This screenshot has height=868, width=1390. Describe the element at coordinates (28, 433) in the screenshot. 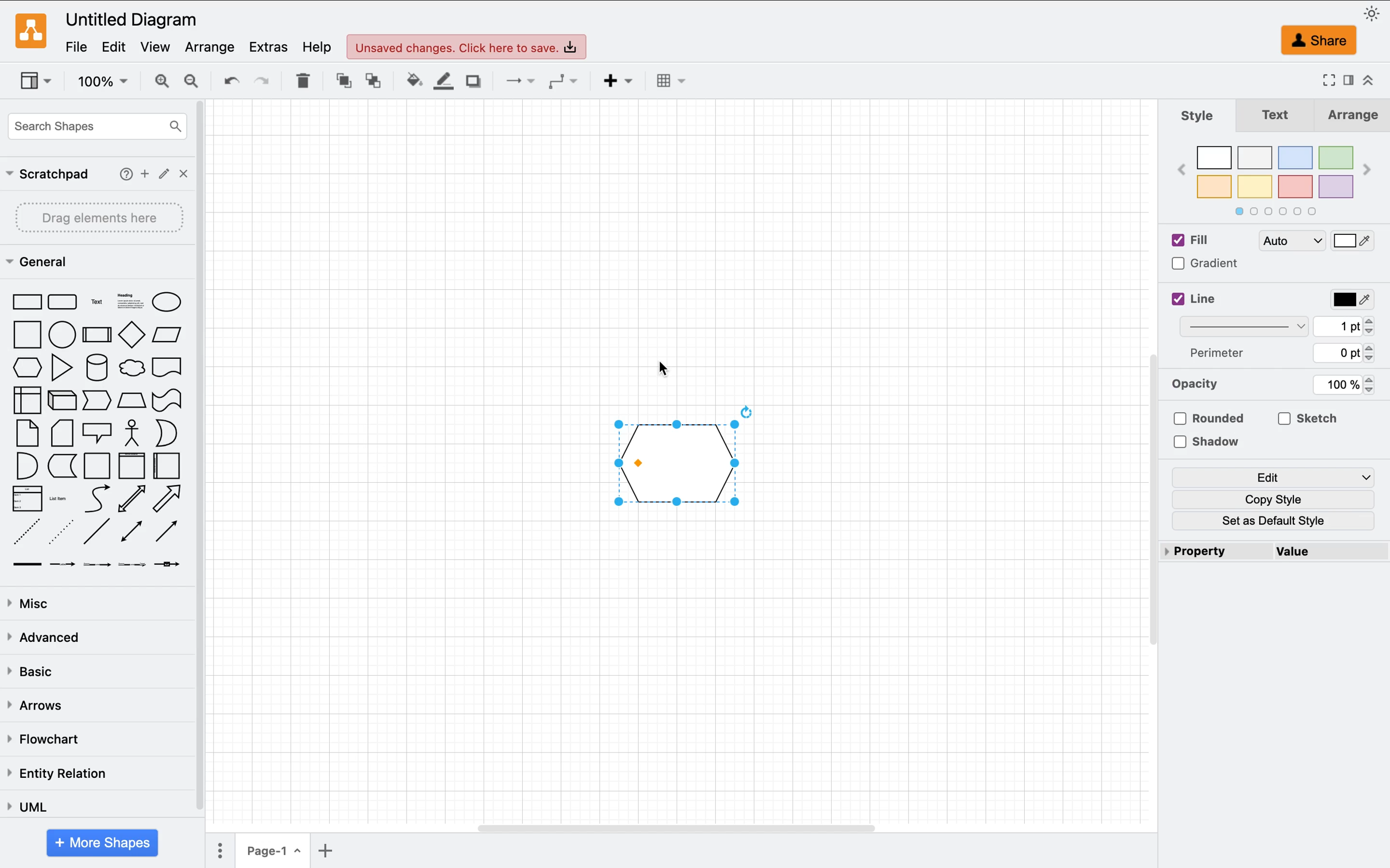

I see `note` at that location.